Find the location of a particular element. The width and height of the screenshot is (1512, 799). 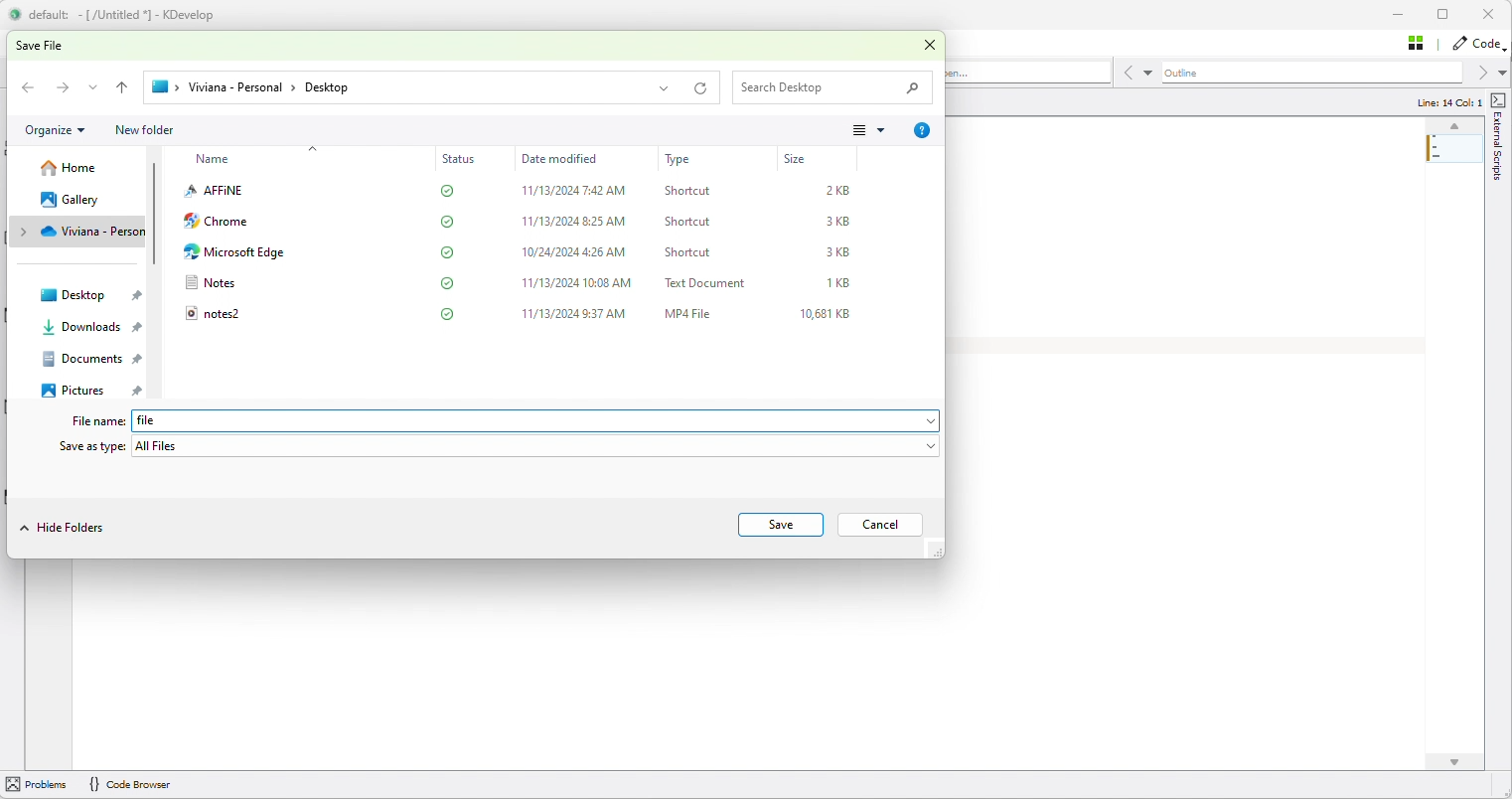

AFFINE is located at coordinates (213, 190).